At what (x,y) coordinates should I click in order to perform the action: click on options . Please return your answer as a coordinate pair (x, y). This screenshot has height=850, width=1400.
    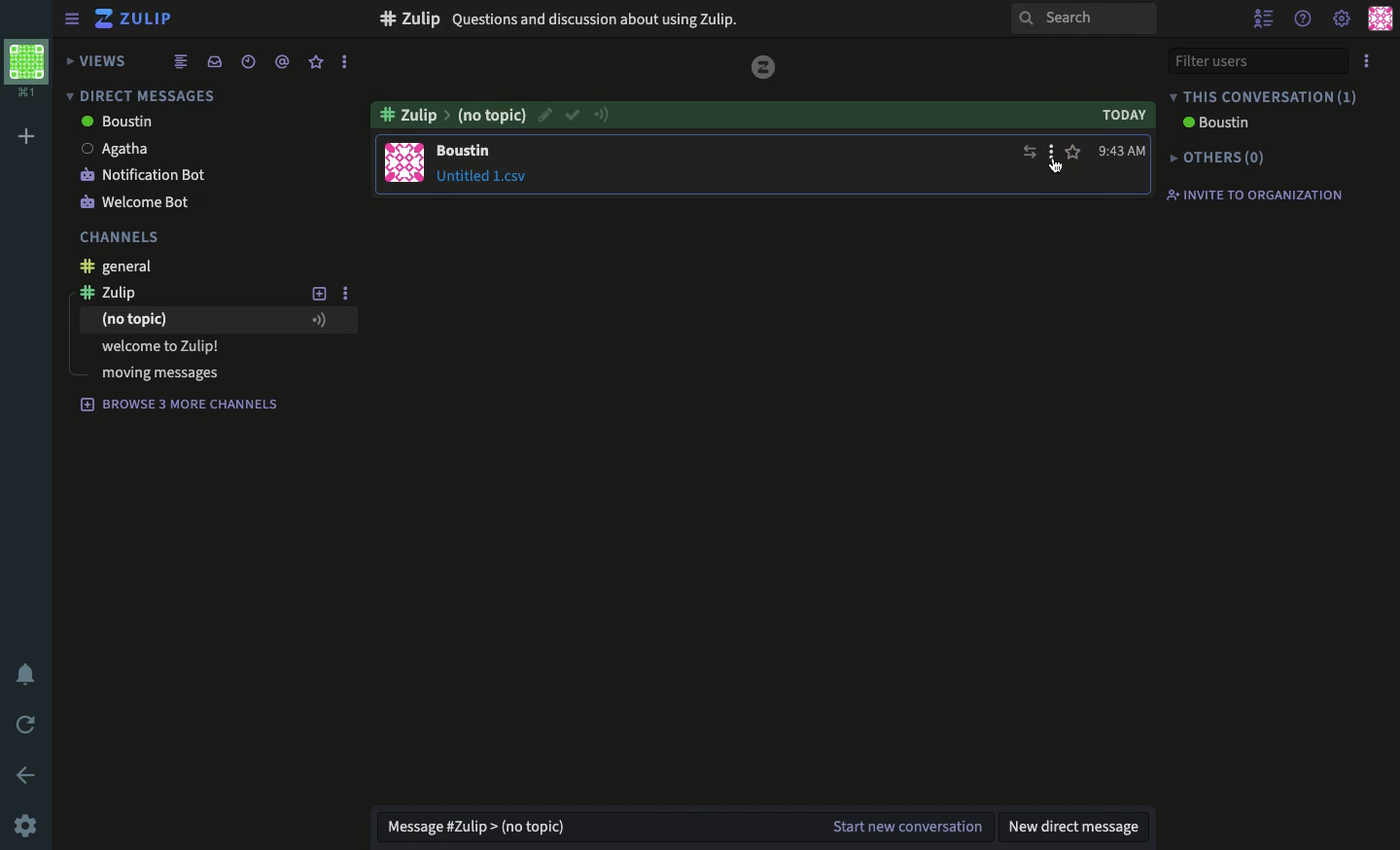
    Looking at the image, I should click on (1048, 152).